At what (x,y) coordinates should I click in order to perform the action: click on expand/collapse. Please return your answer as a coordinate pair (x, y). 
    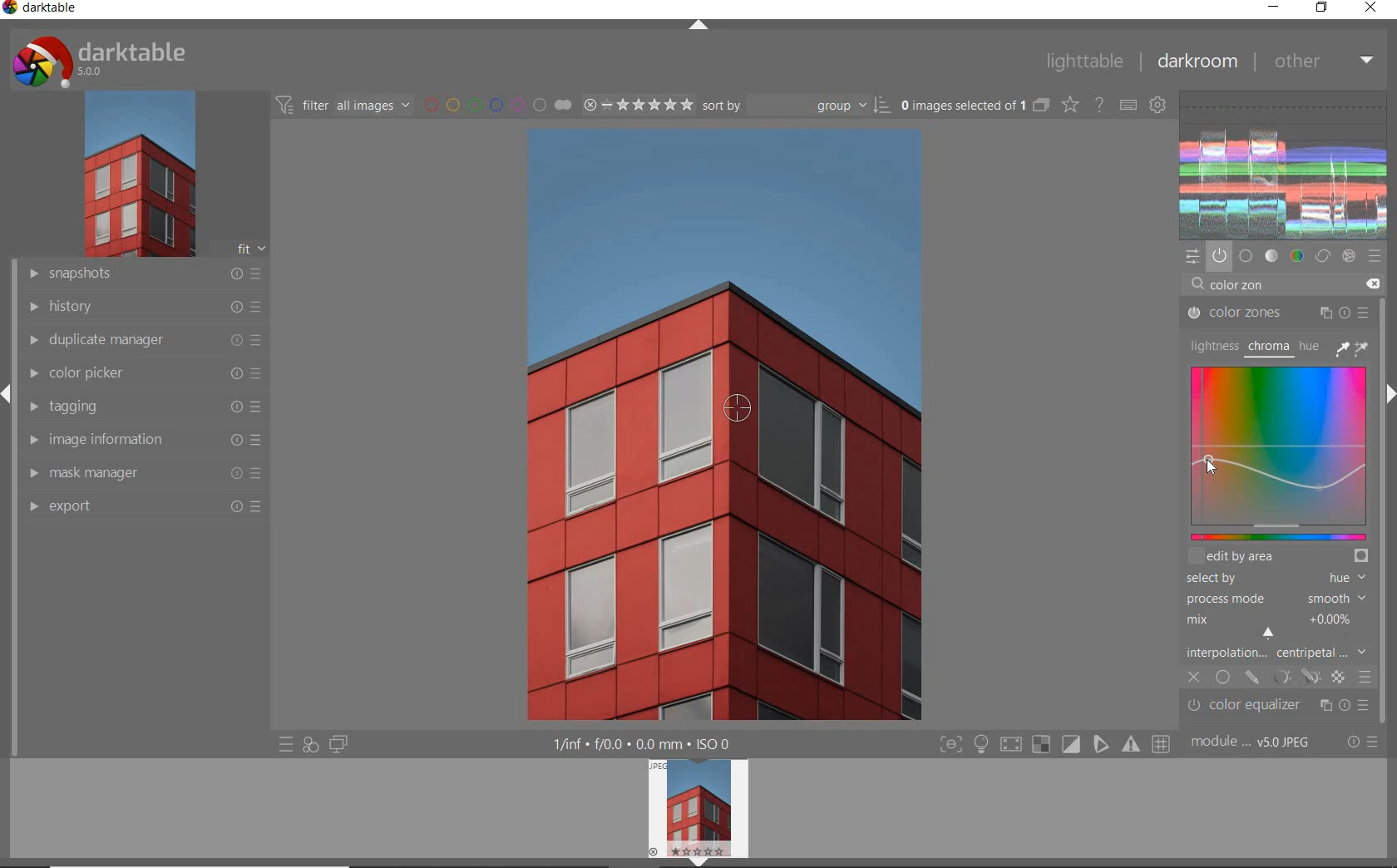
    Looking at the image, I should click on (699, 26).